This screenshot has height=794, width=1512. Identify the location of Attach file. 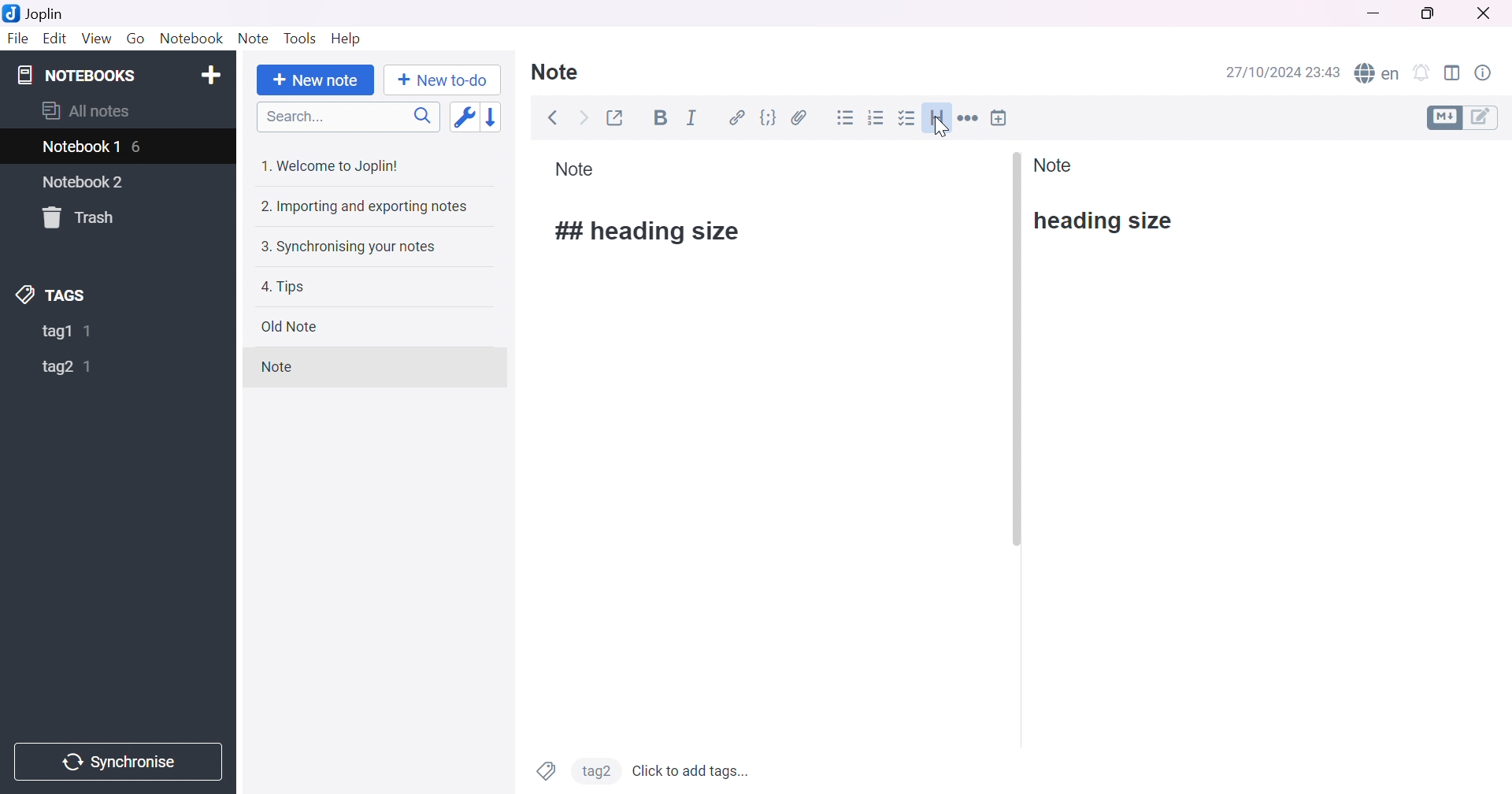
(799, 118).